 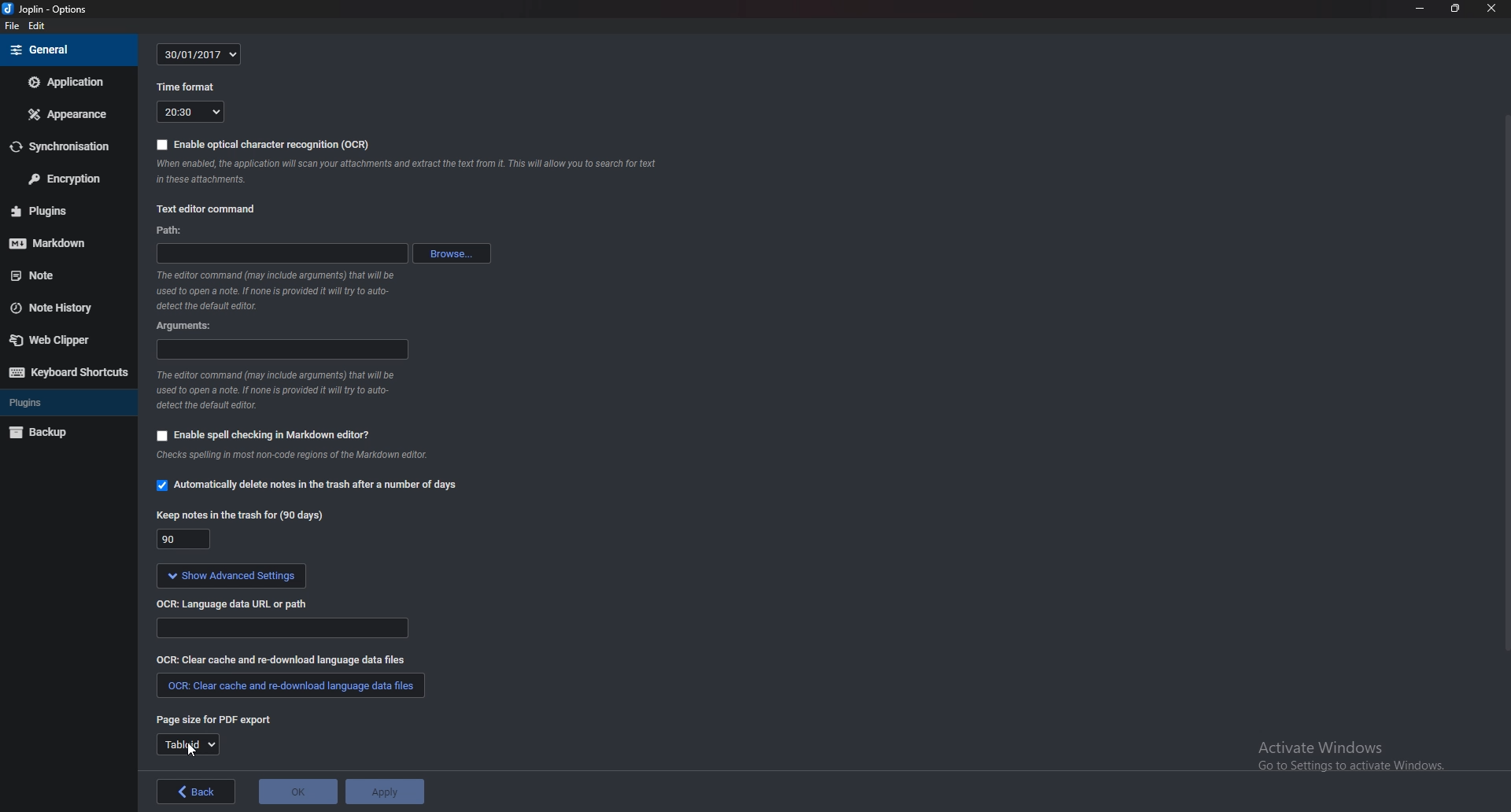 What do you see at coordinates (290, 685) in the screenshot?
I see `clear cache and redownload language data` at bounding box center [290, 685].